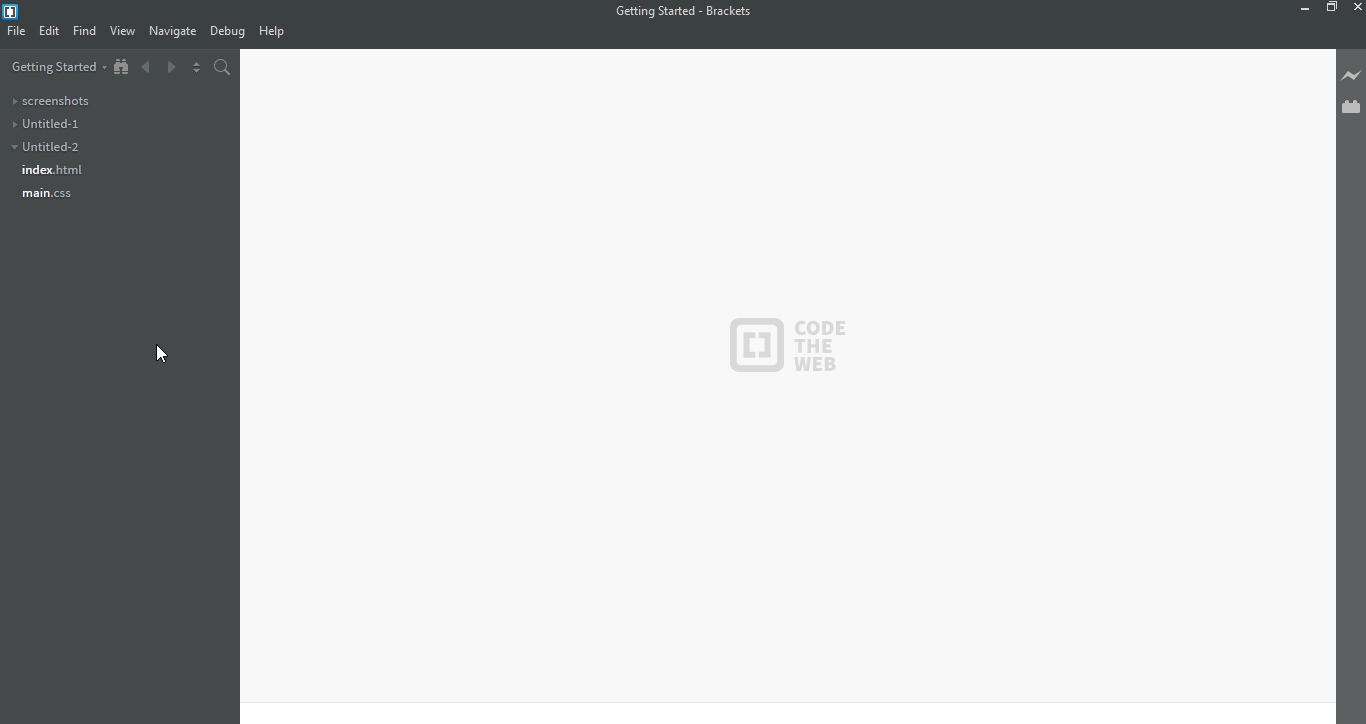 The height and width of the screenshot is (724, 1366). I want to click on backward, so click(146, 68).